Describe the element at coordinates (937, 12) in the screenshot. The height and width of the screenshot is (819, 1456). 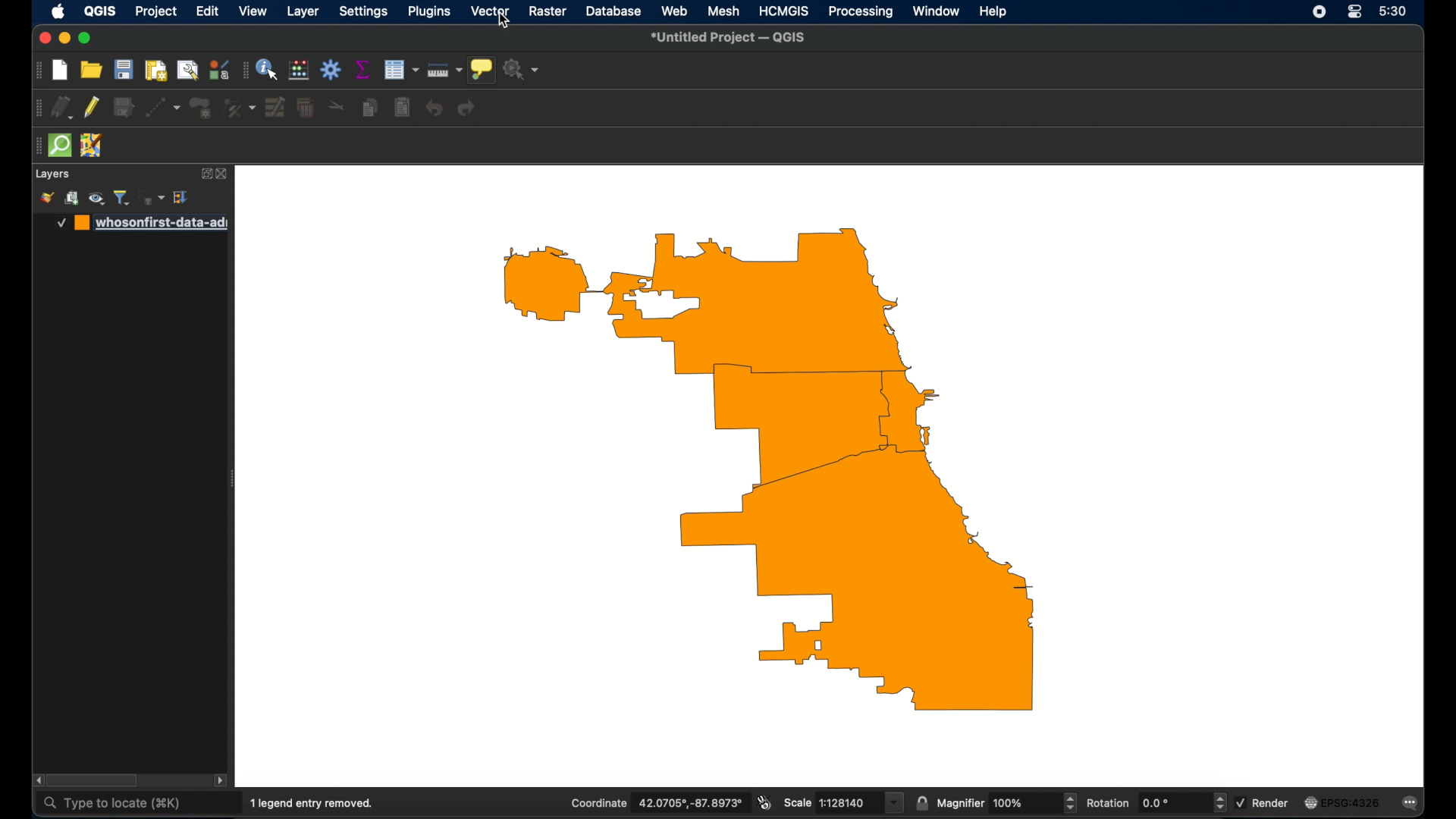
I see `window` at that location.